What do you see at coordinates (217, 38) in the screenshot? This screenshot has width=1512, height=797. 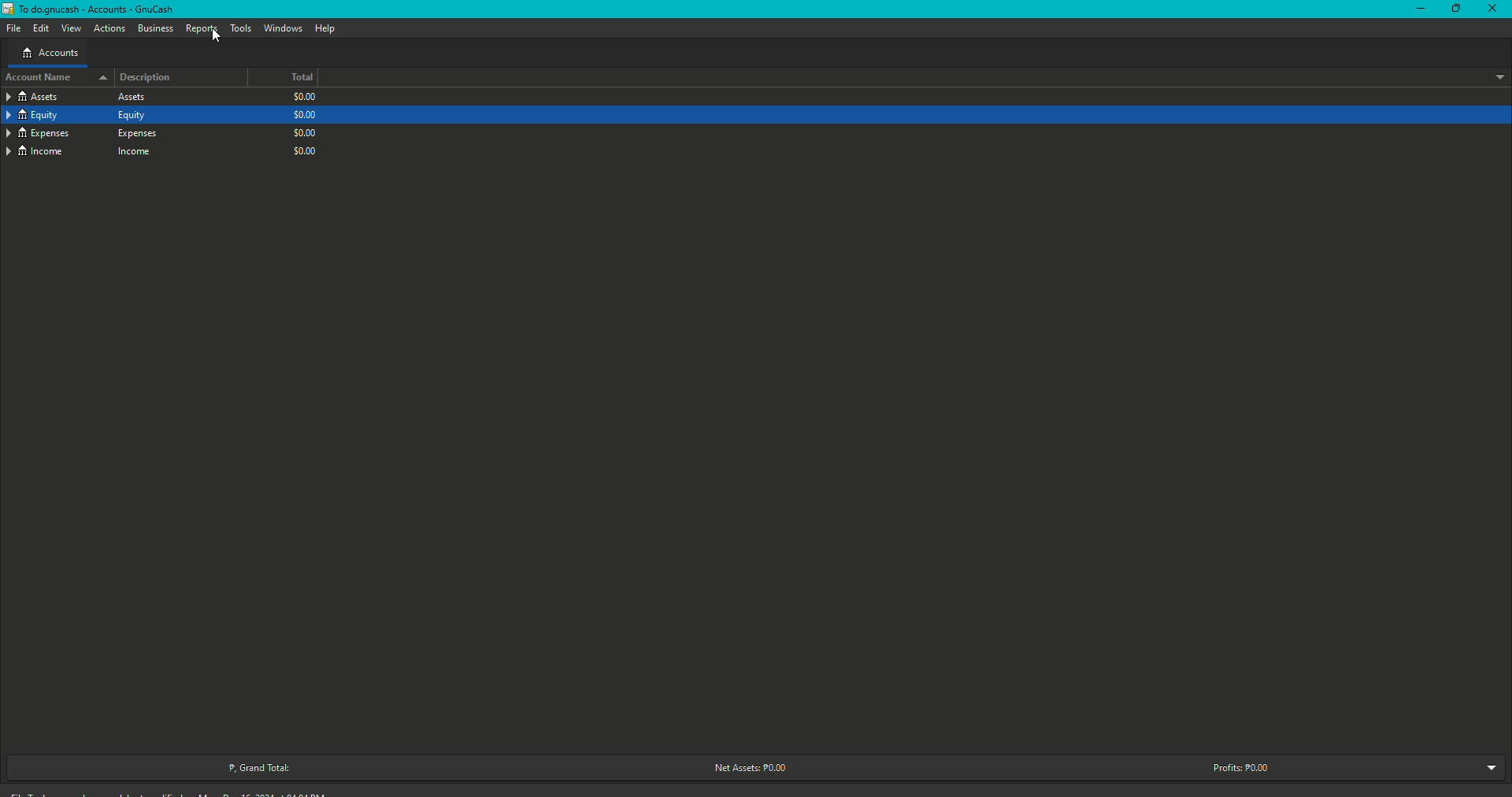 I see `cursor` at bounding box center [217, 38].